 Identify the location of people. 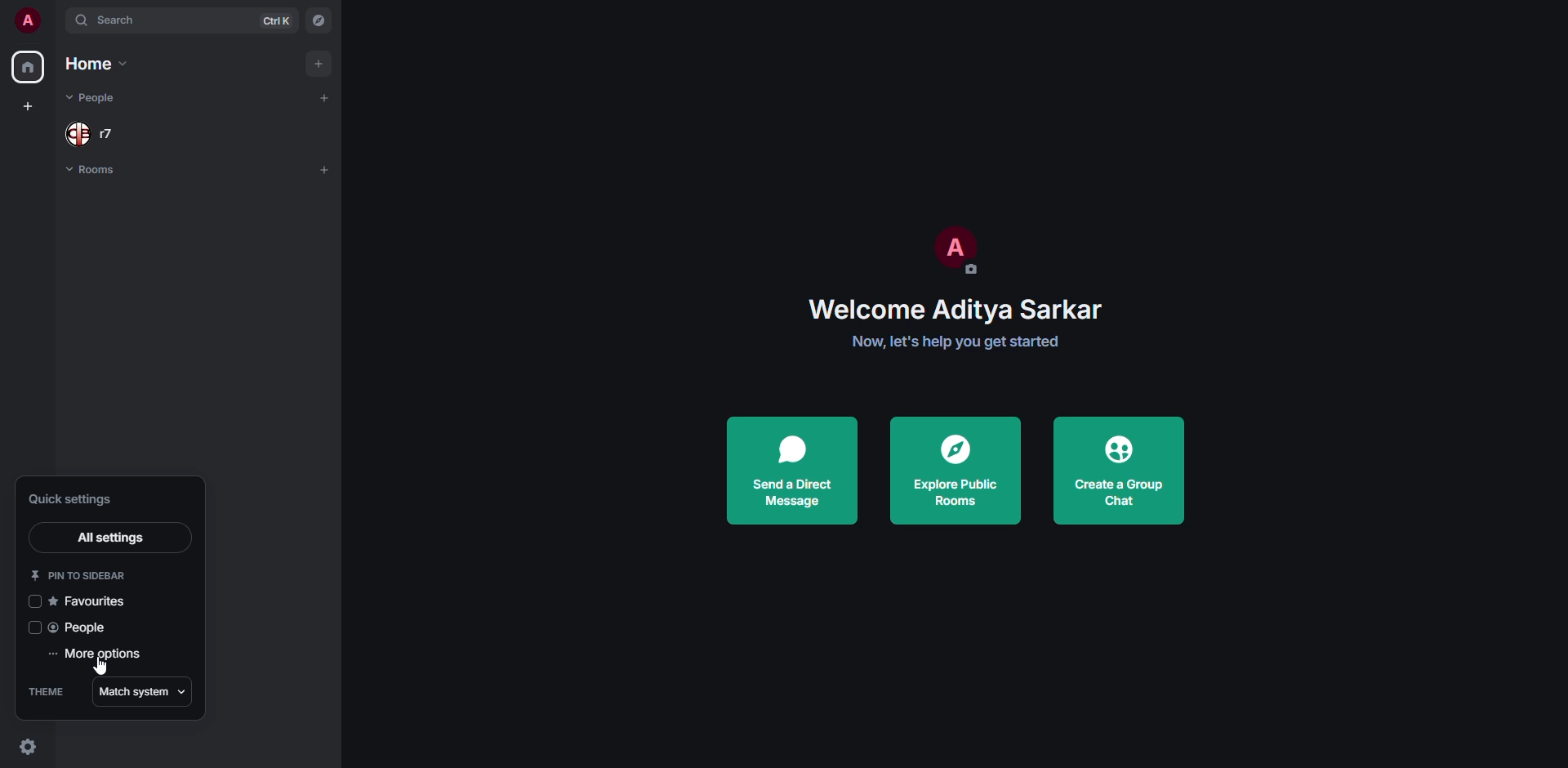
(91, 132).